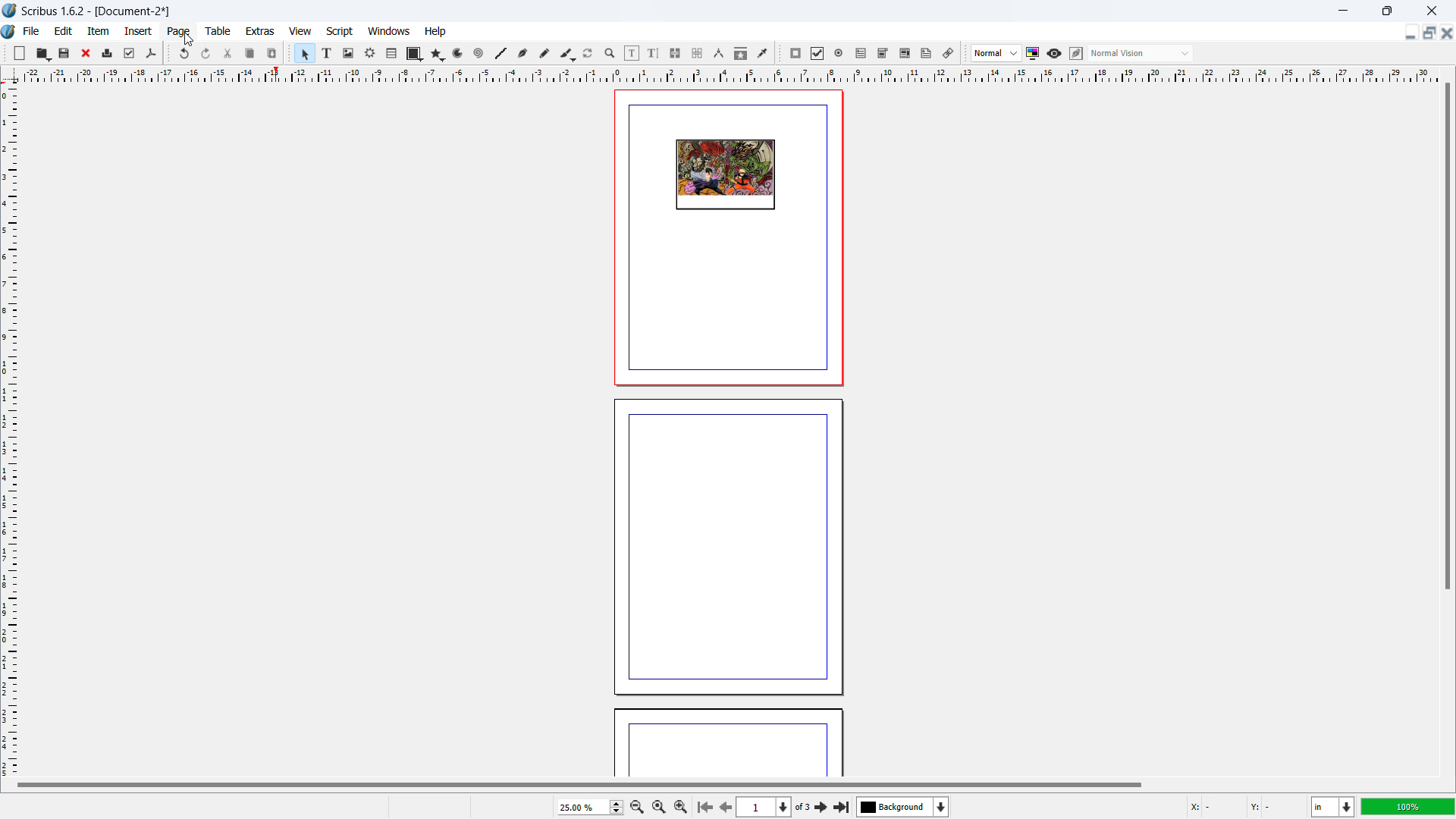 Image resolution: width=1456 pixels, height=819 pixels. Describe the element at coordinates (108, 52) in the screenshot. I see `print` at that location.